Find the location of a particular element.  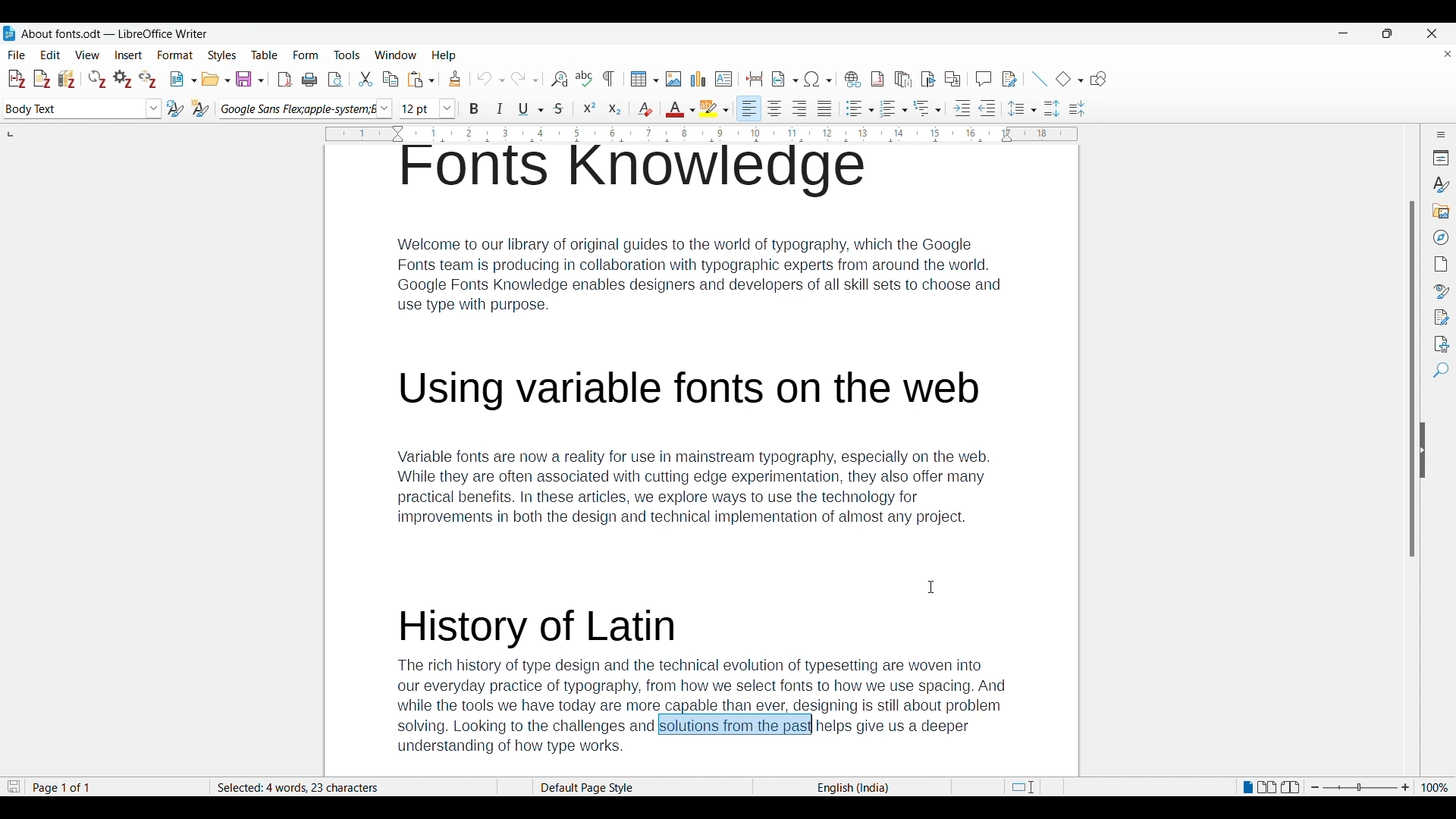

Current zoom factor is located at coordinates (1435, 788).